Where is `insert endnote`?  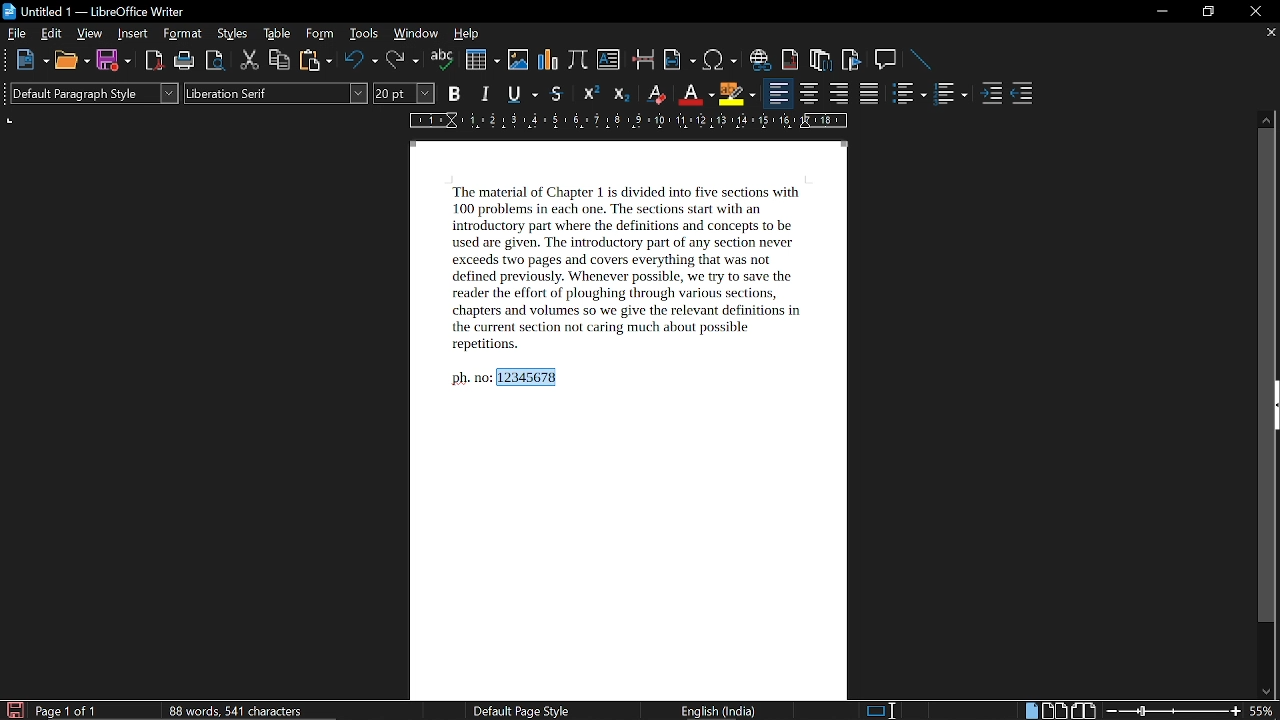
insert endnote is located at coordinates (822, 59).